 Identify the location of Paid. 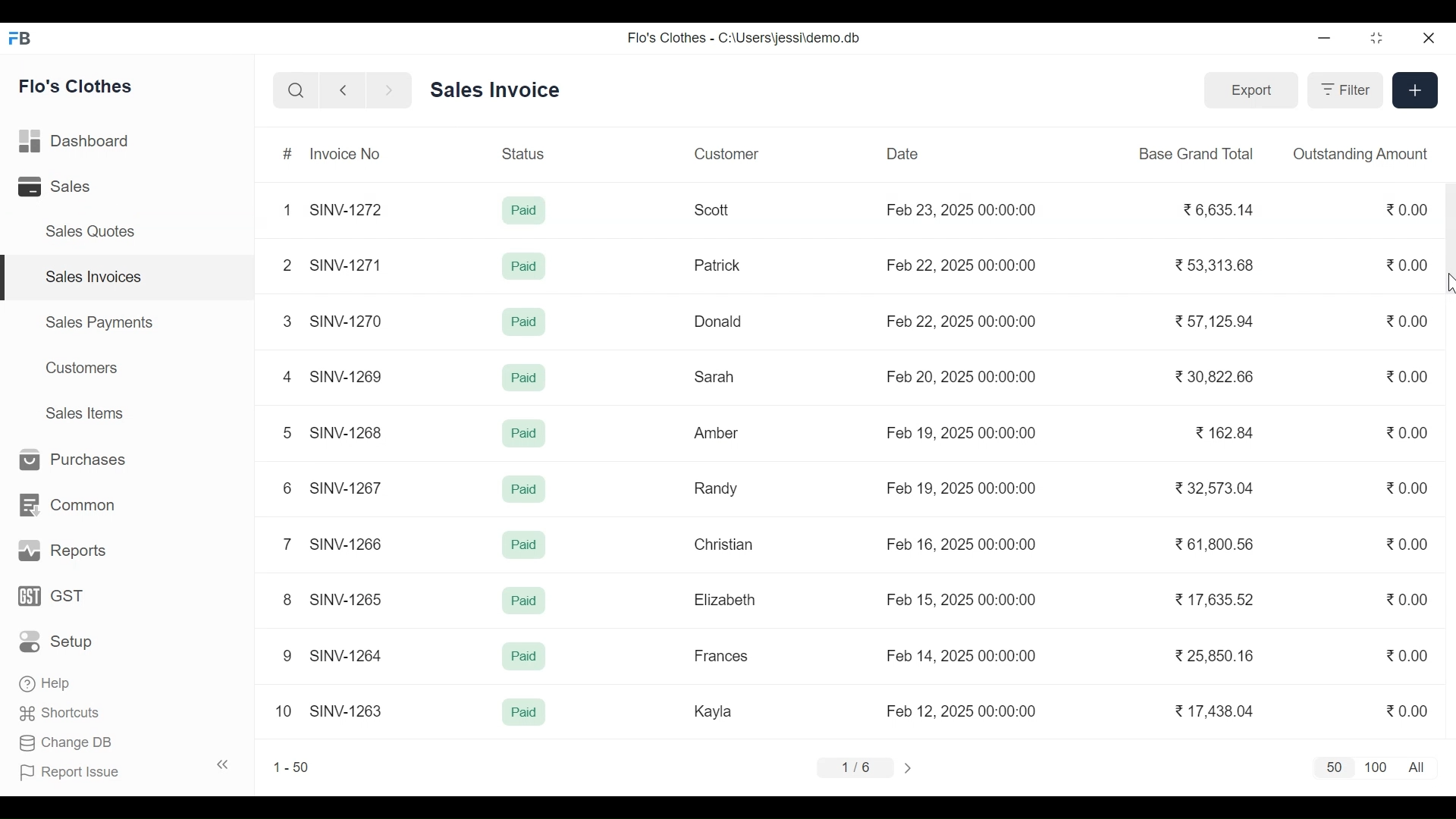
(524, 433).